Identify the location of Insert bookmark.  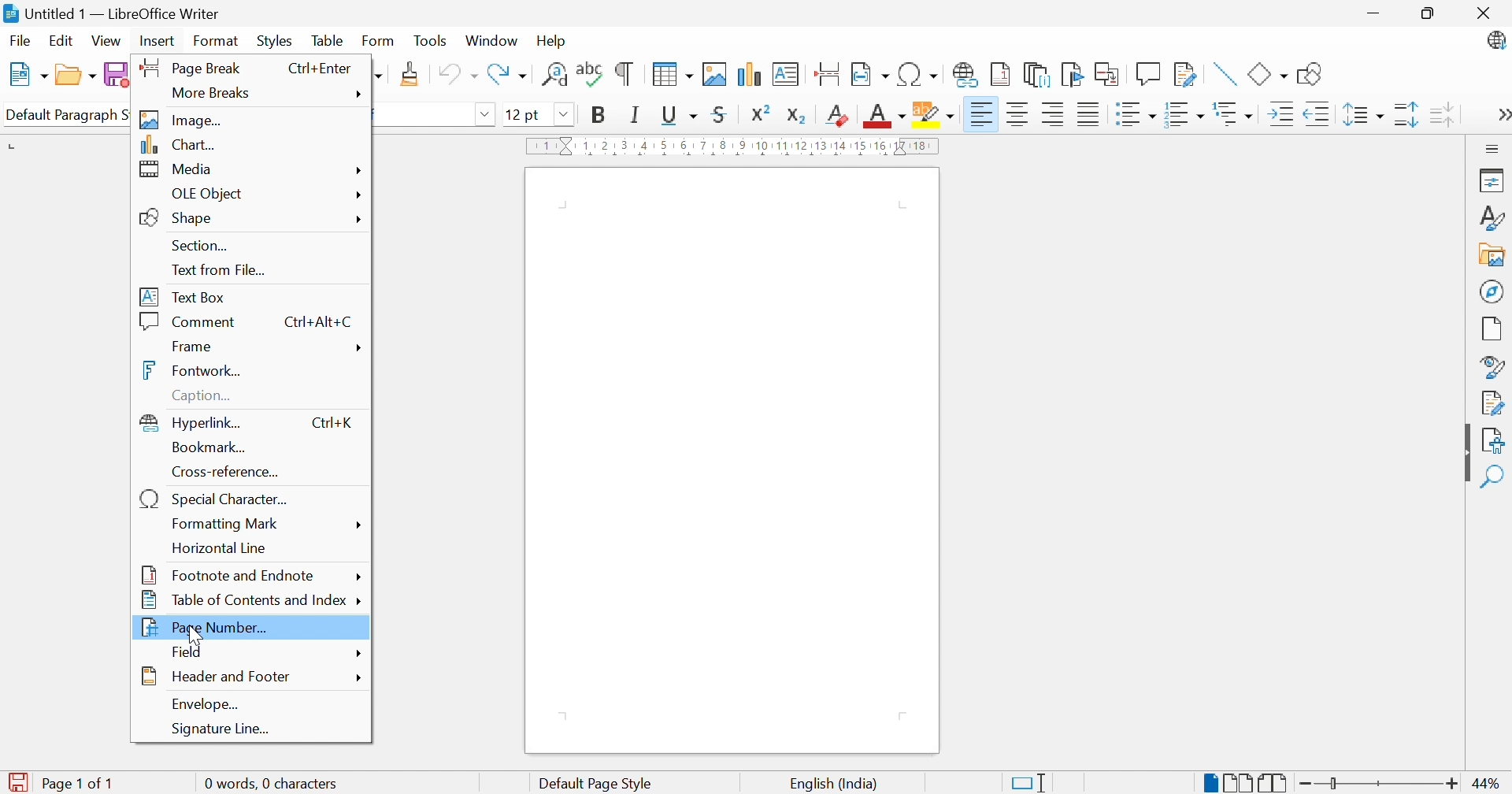
(1072, 75).